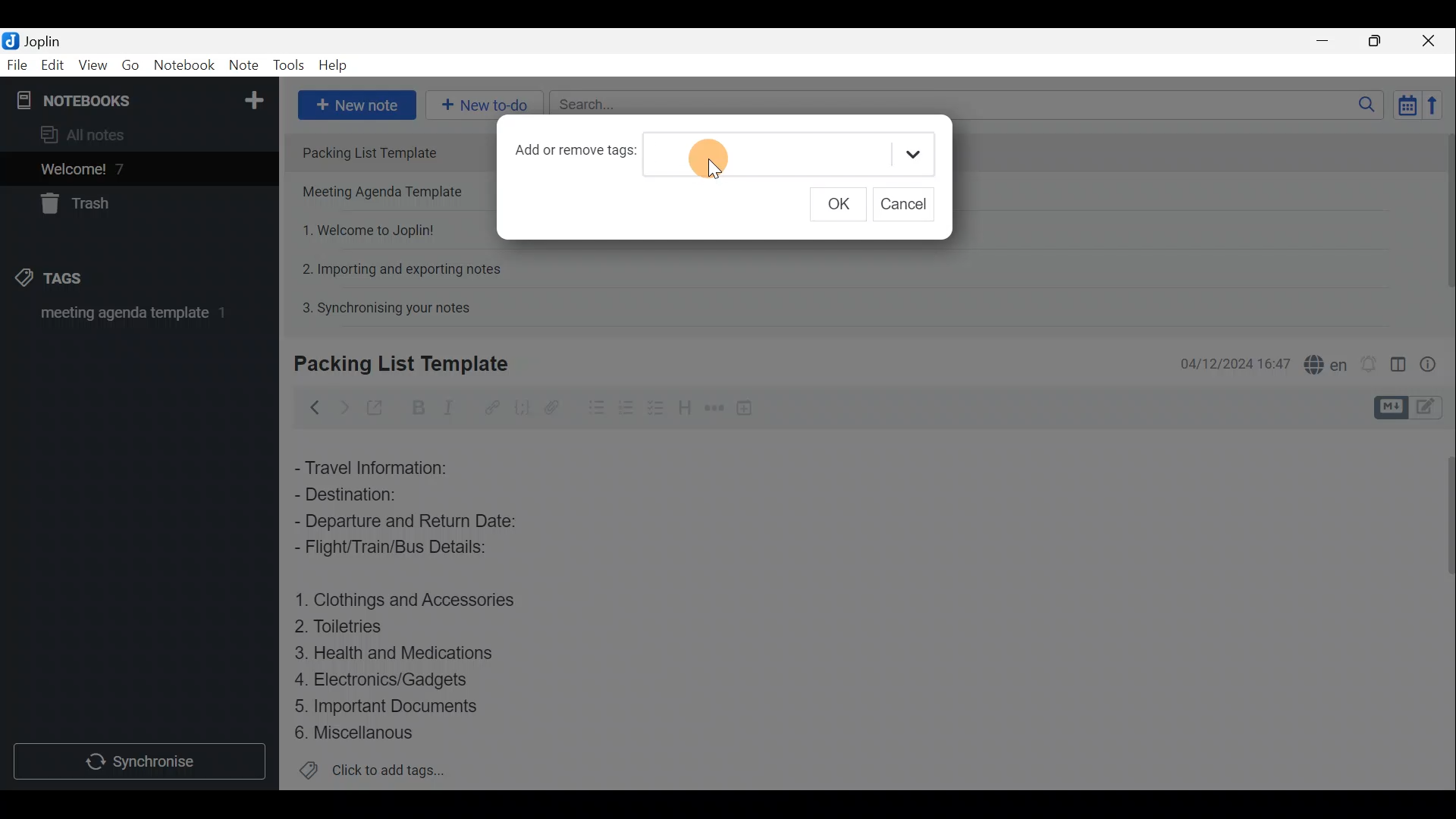 This screenshot has width=1456, height=819. I want to click on Edit, so click(49, 66).